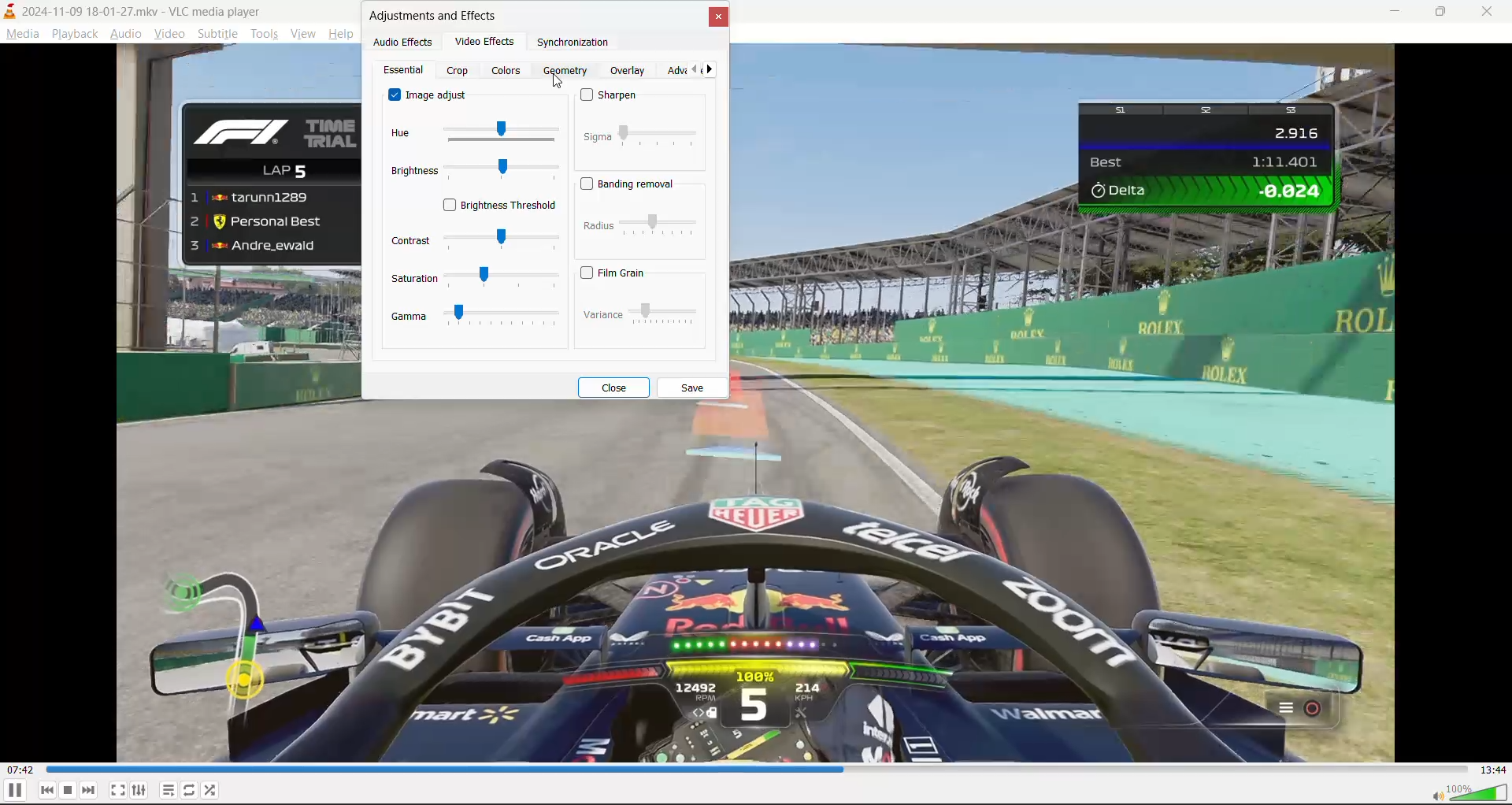 The width and height of the screenshot is (1512, 805). I want to click on gamma, so click(473, 317).